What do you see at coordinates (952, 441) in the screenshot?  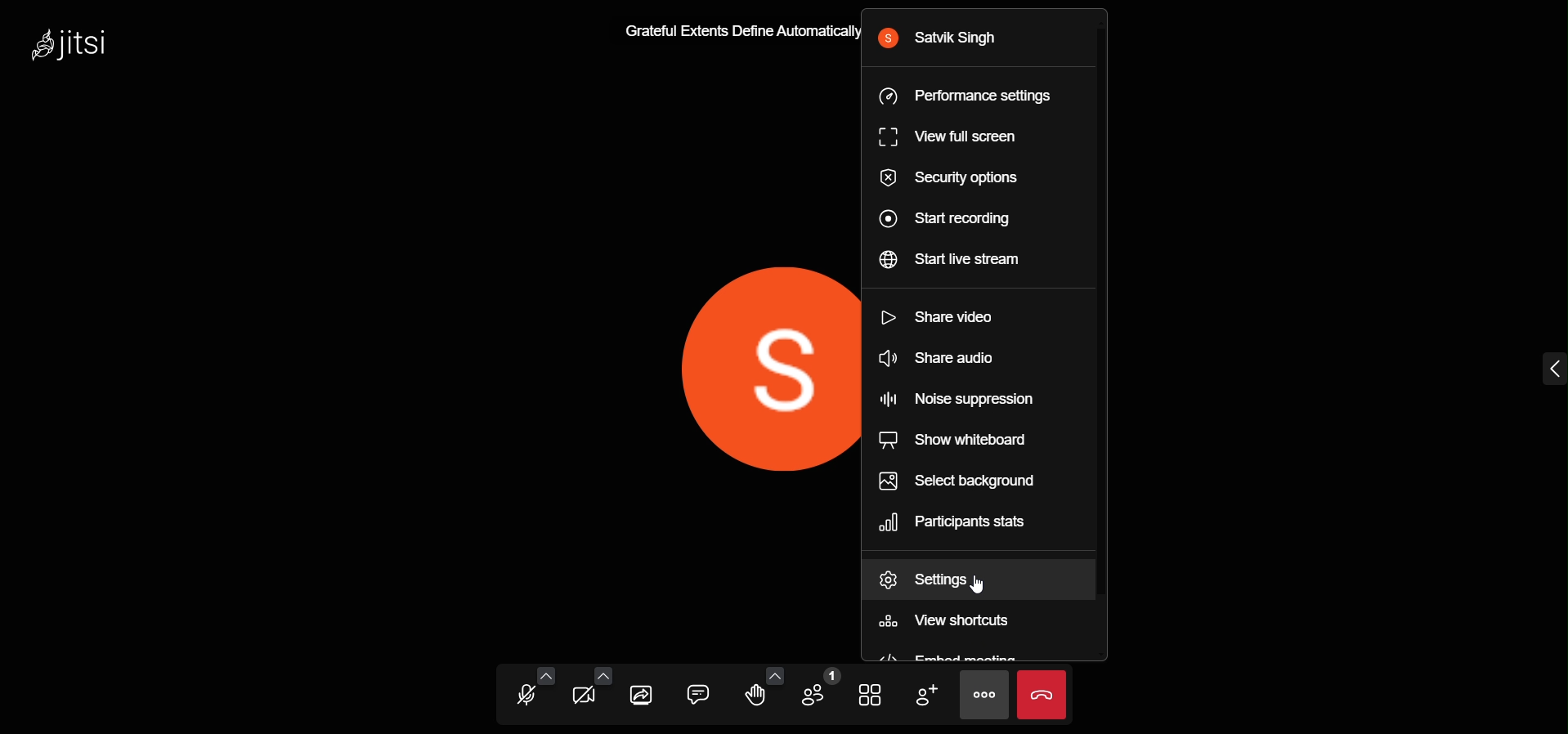 I see `show whiteboard` at bounding box center [952, 441].